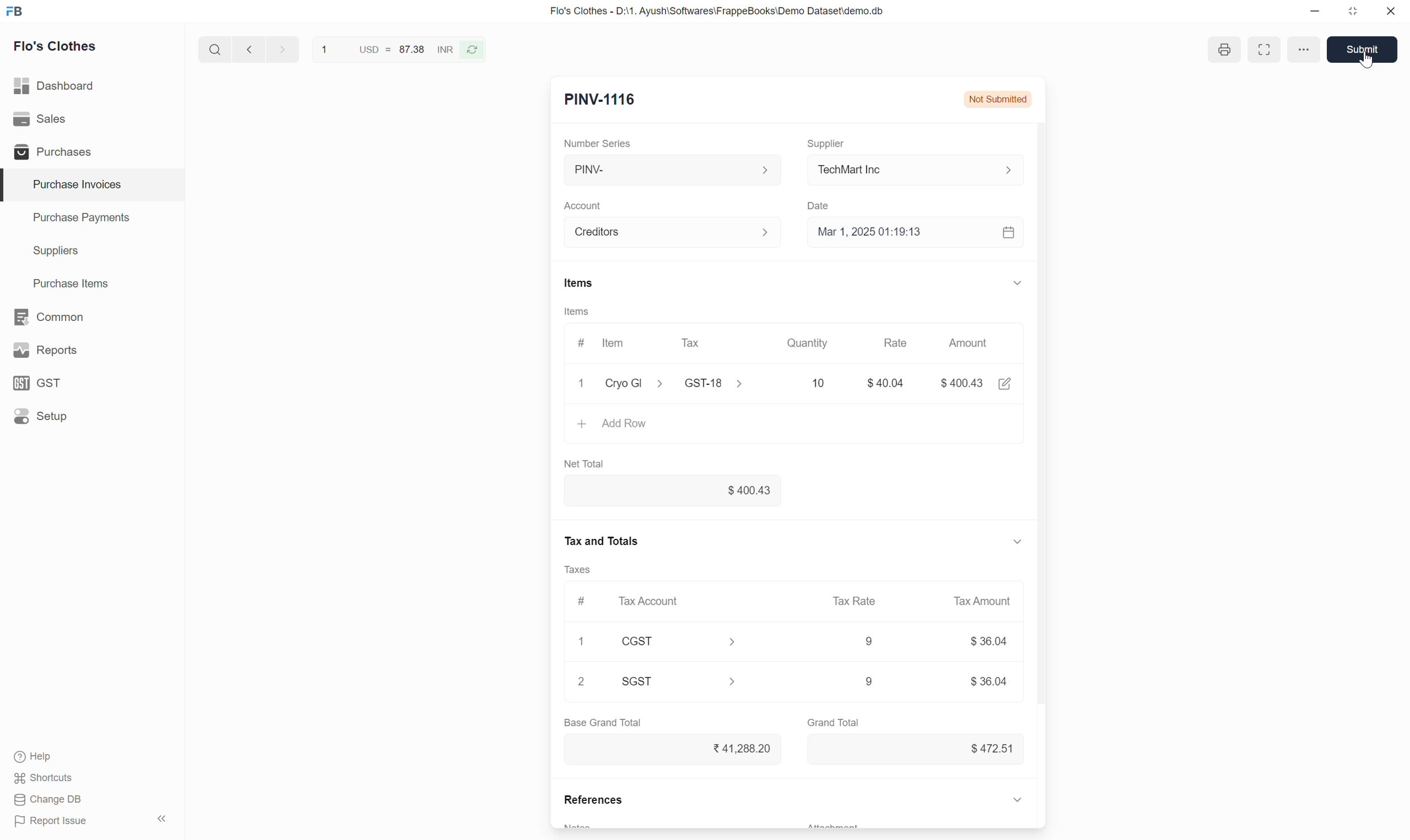 The width and height of the screenshot is (1410, 840). I want to click on expand, so click(1016, 282).